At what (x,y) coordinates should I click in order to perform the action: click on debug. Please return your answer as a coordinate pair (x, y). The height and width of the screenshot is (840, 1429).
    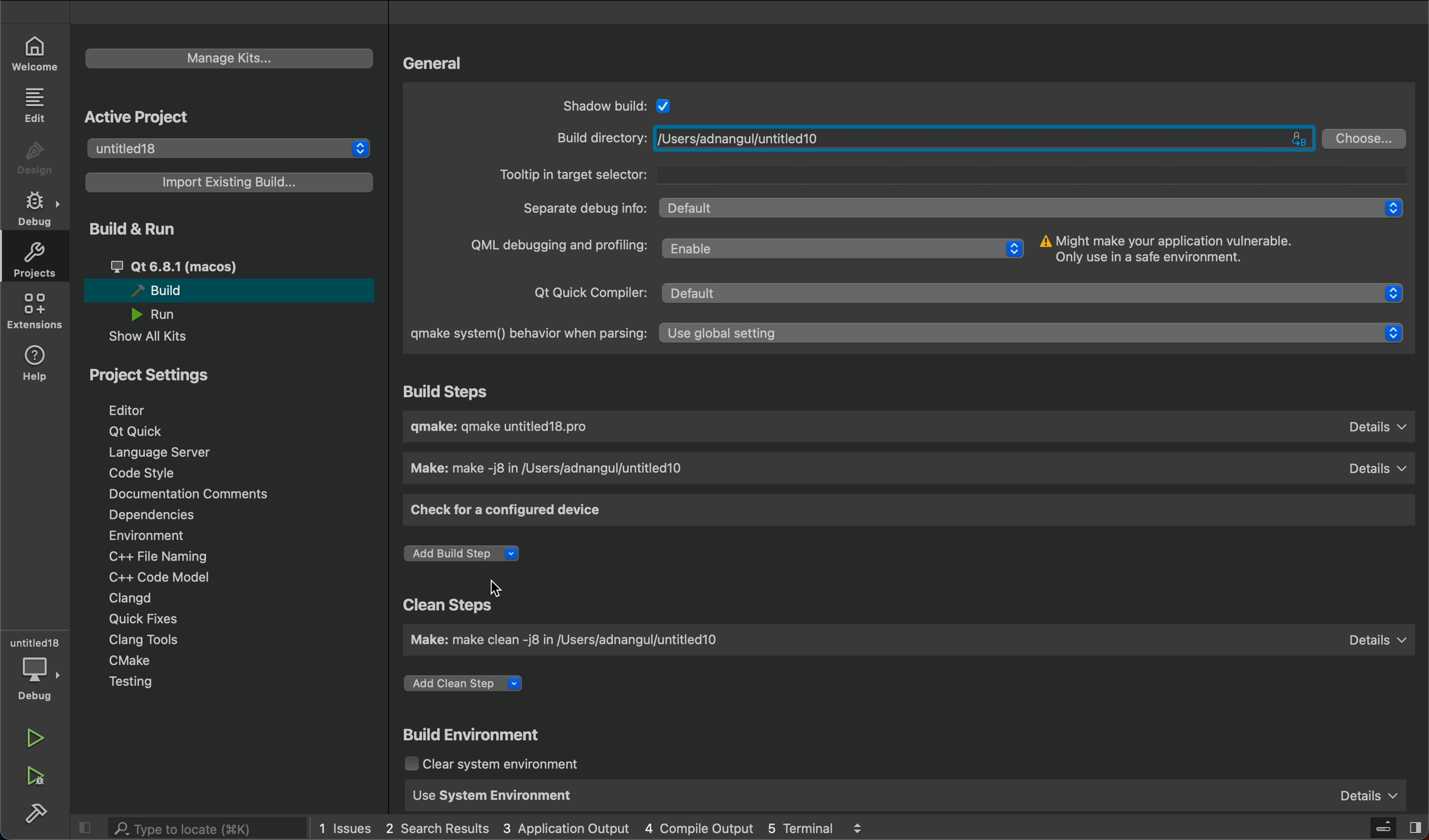
    Looking at the image, I should click on (34, 683).